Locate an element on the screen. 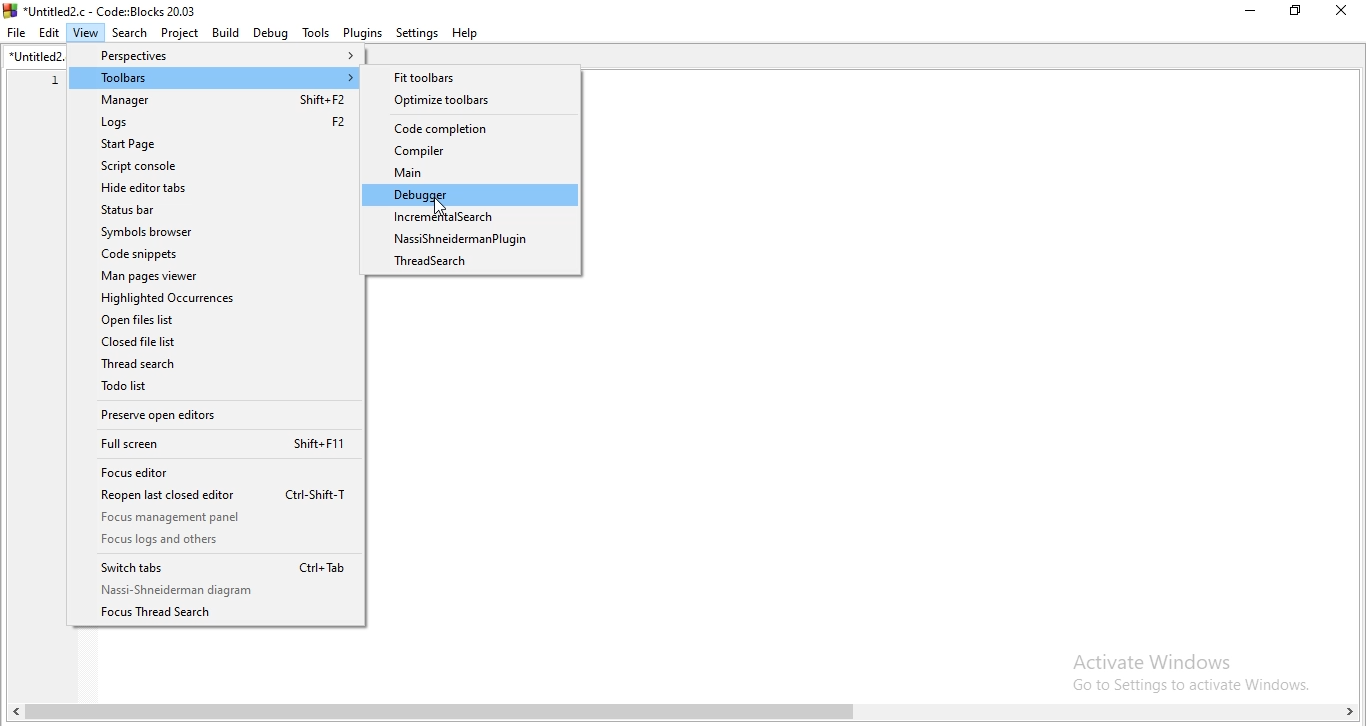 This screenshot has width=1366, height=726. Search  is located at coordinates (126, 34).